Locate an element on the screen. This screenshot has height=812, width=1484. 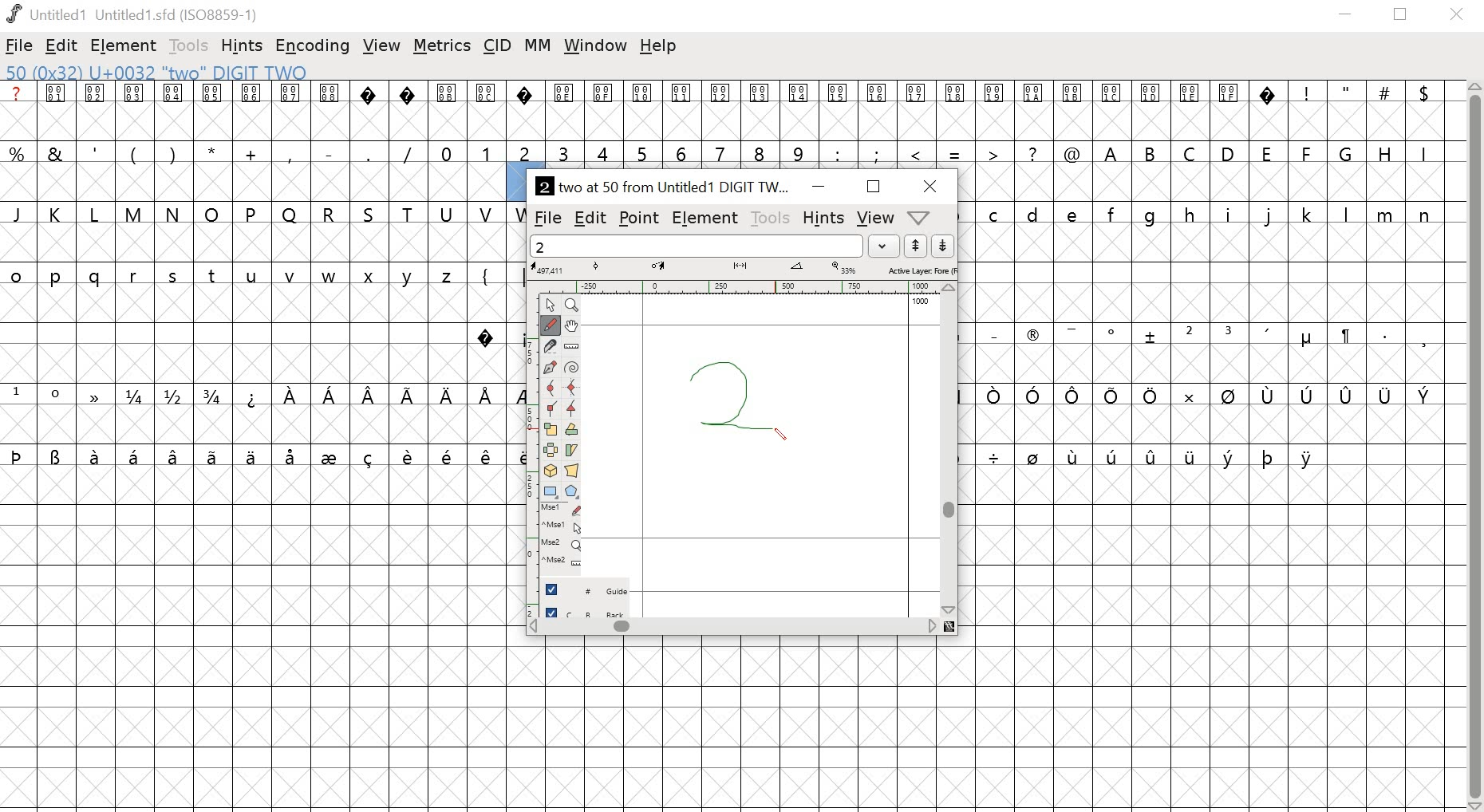
scrollbar is located at coordinates (741, 629).